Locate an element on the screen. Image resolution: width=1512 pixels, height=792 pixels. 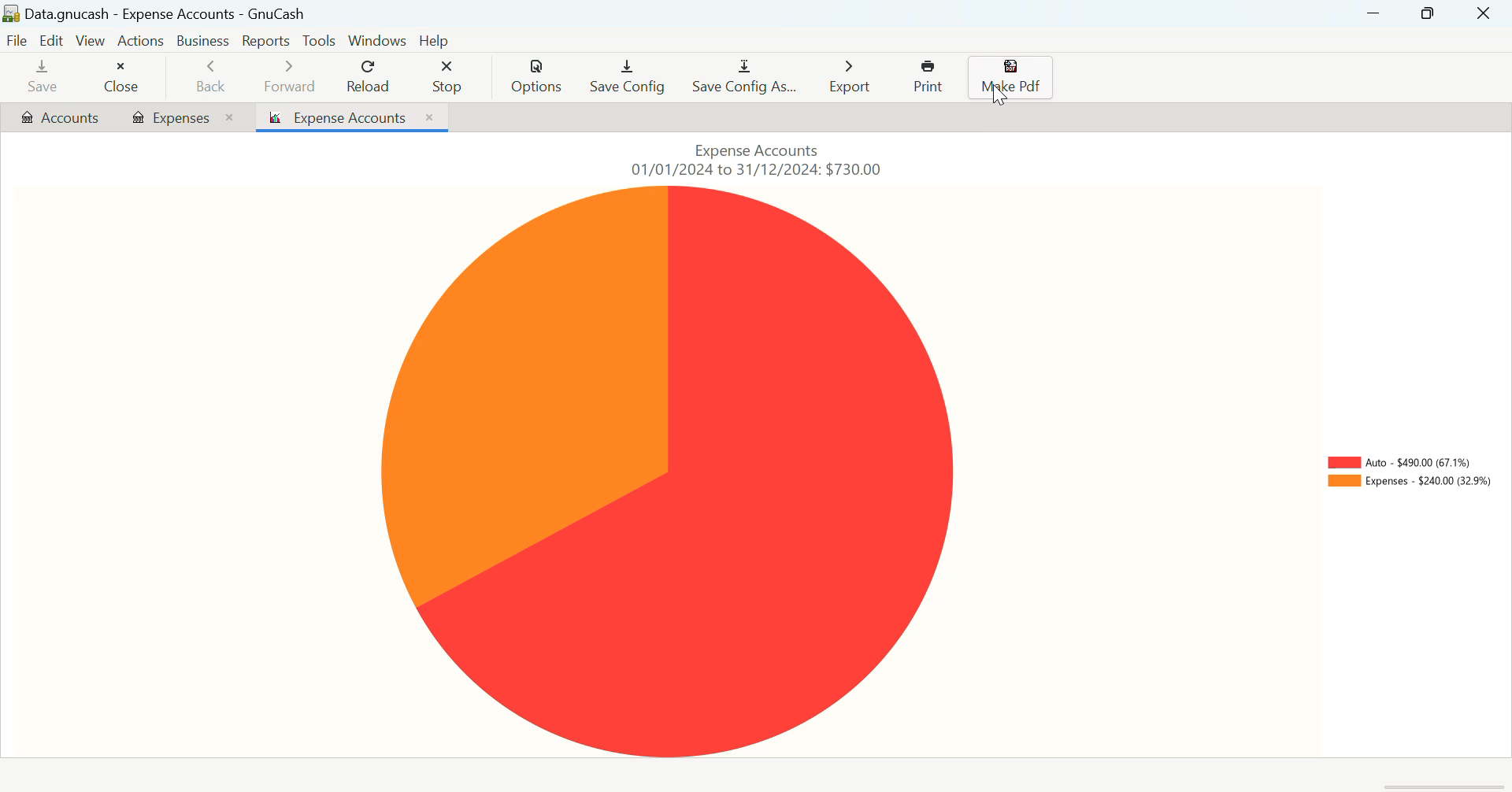
File is located at coordinates (18, 39).